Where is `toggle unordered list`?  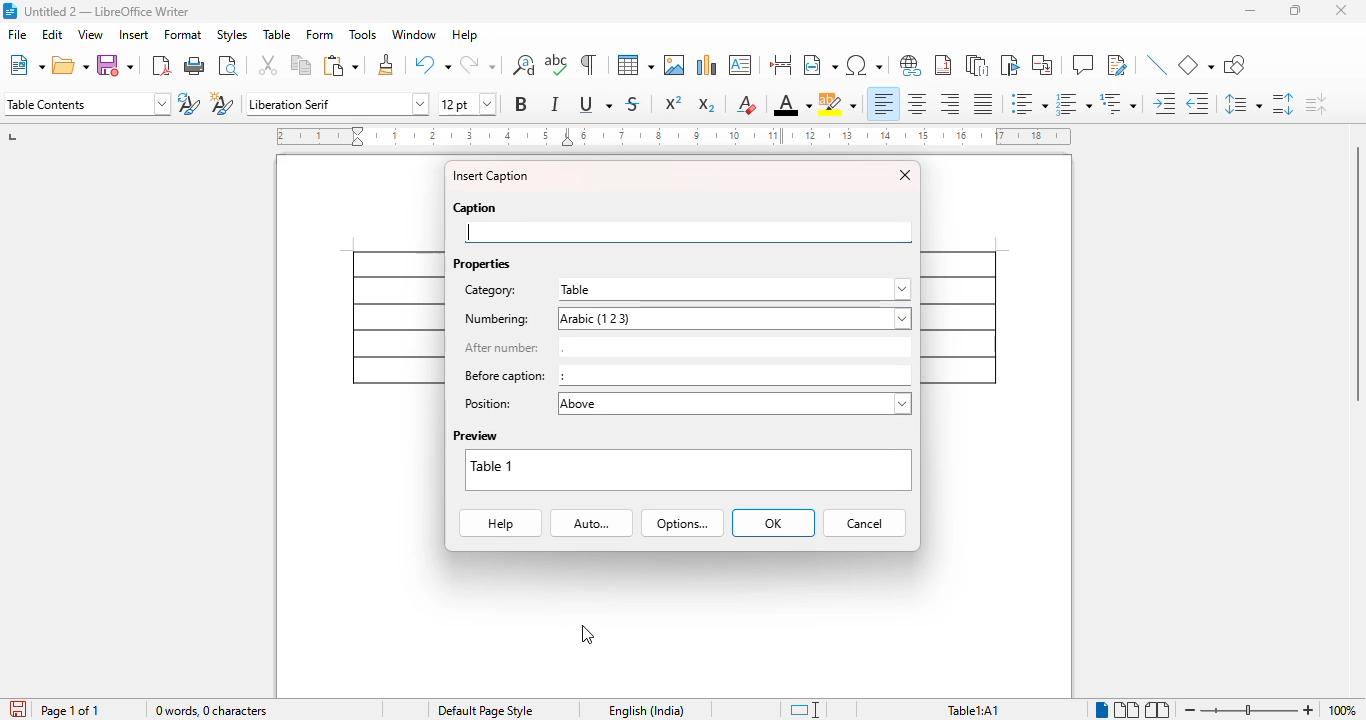 toggle unordered list is located at coordinates (1030, 103).